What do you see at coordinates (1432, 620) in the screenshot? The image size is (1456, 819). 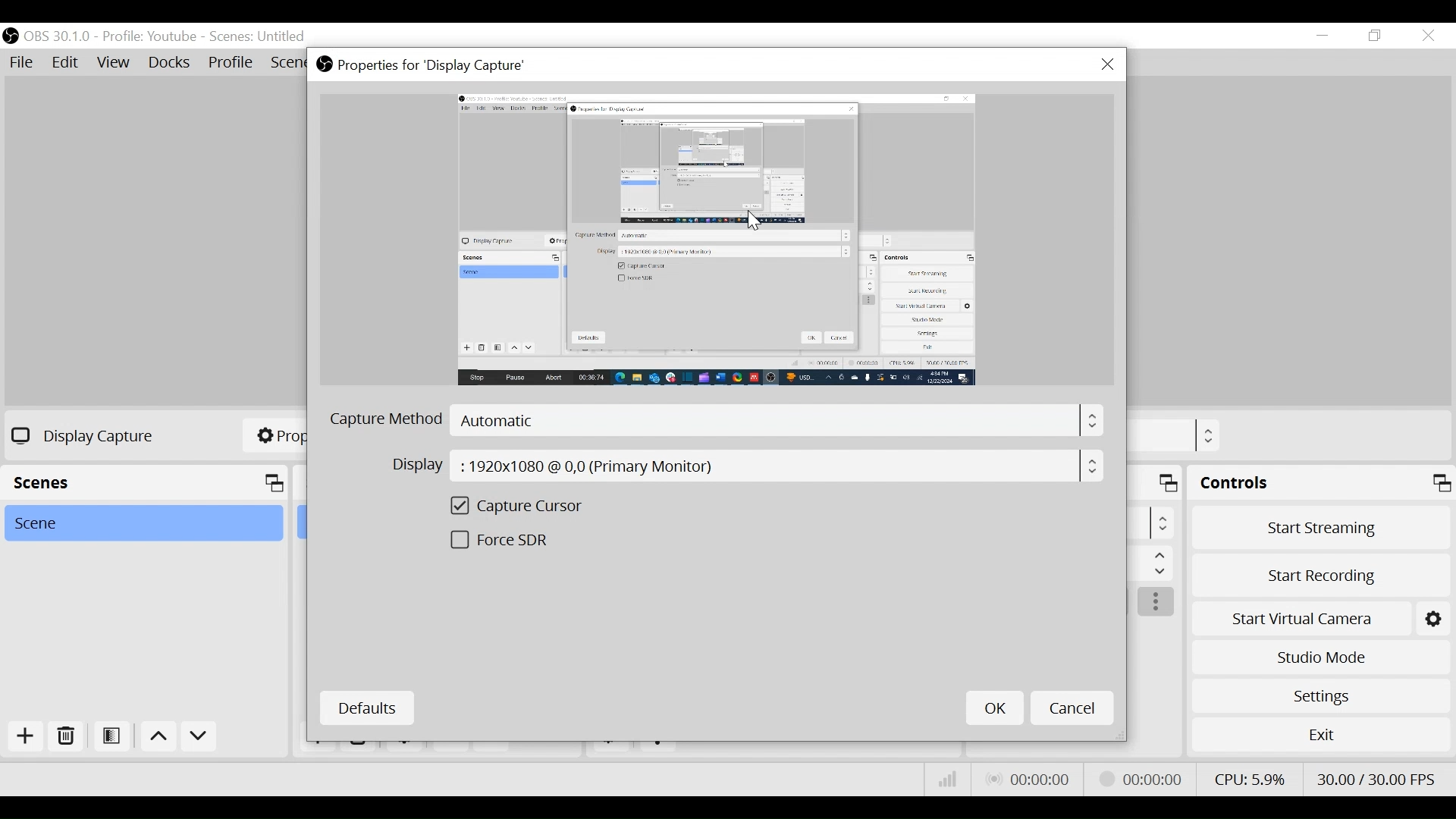 I see `Settings` at bounding box center [1432, 620].